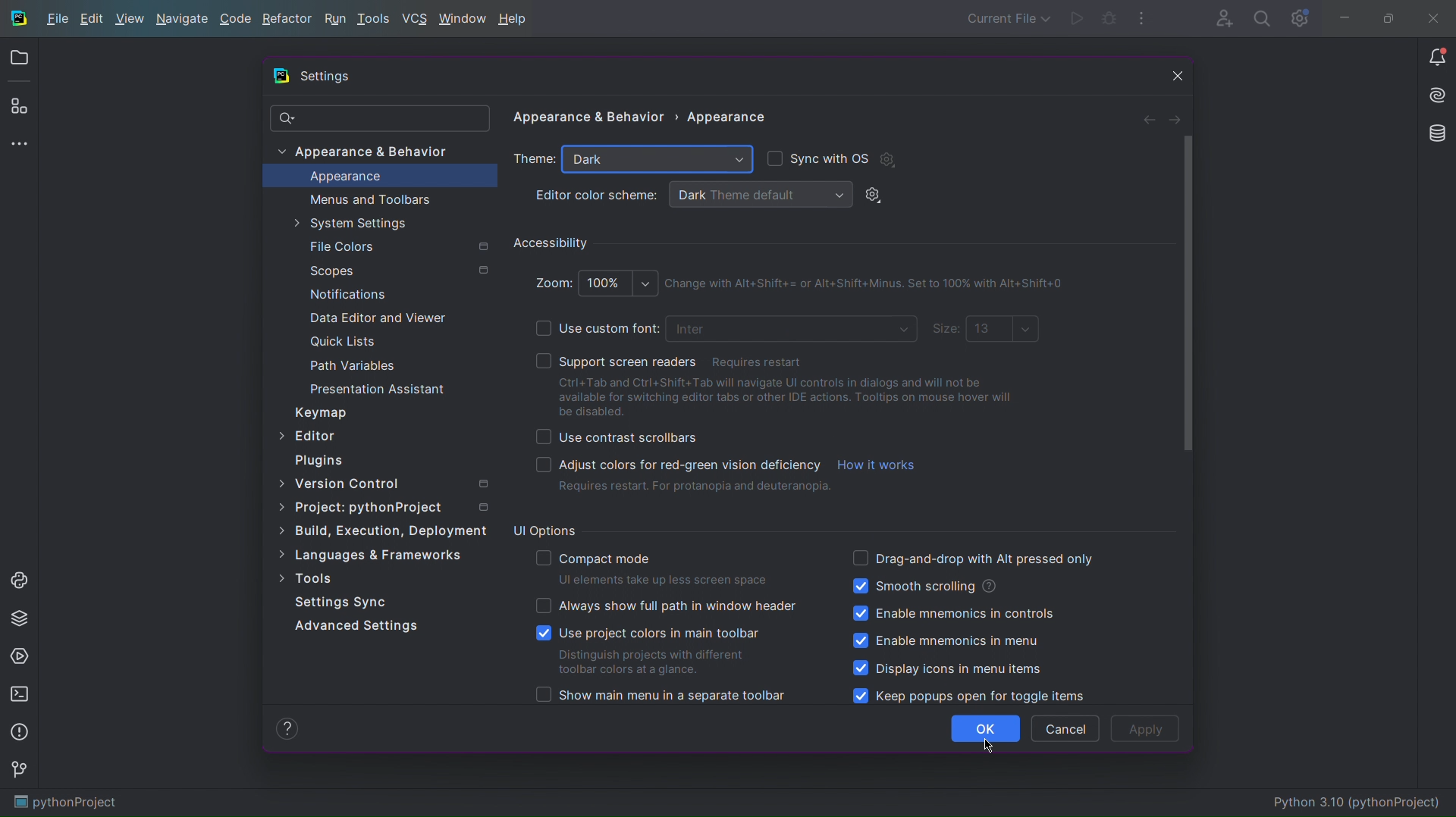  I want to click on Notifications, so click(344, 293).